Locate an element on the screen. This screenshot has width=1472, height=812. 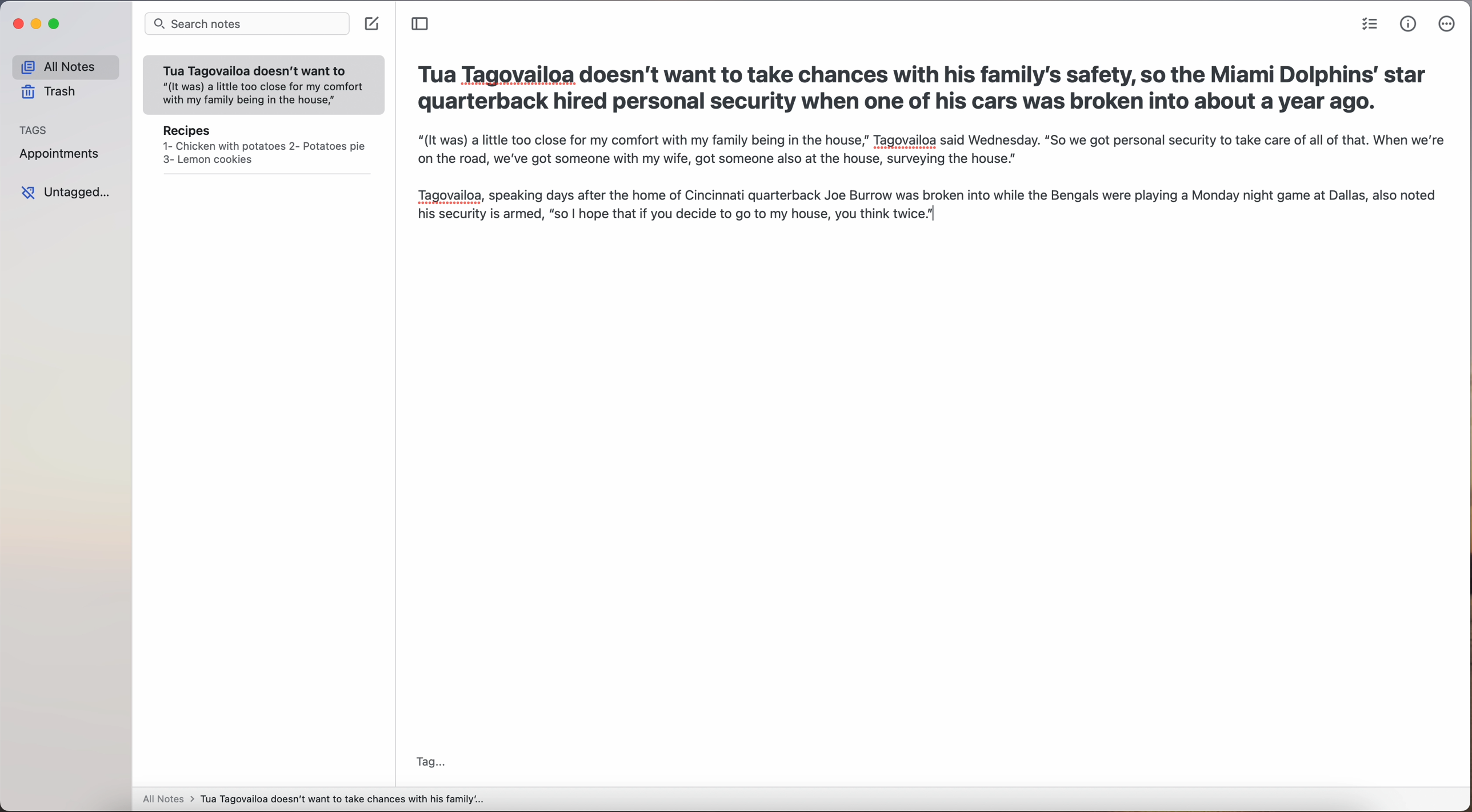
maximize Simplenote is located at coordinates (56, 24).